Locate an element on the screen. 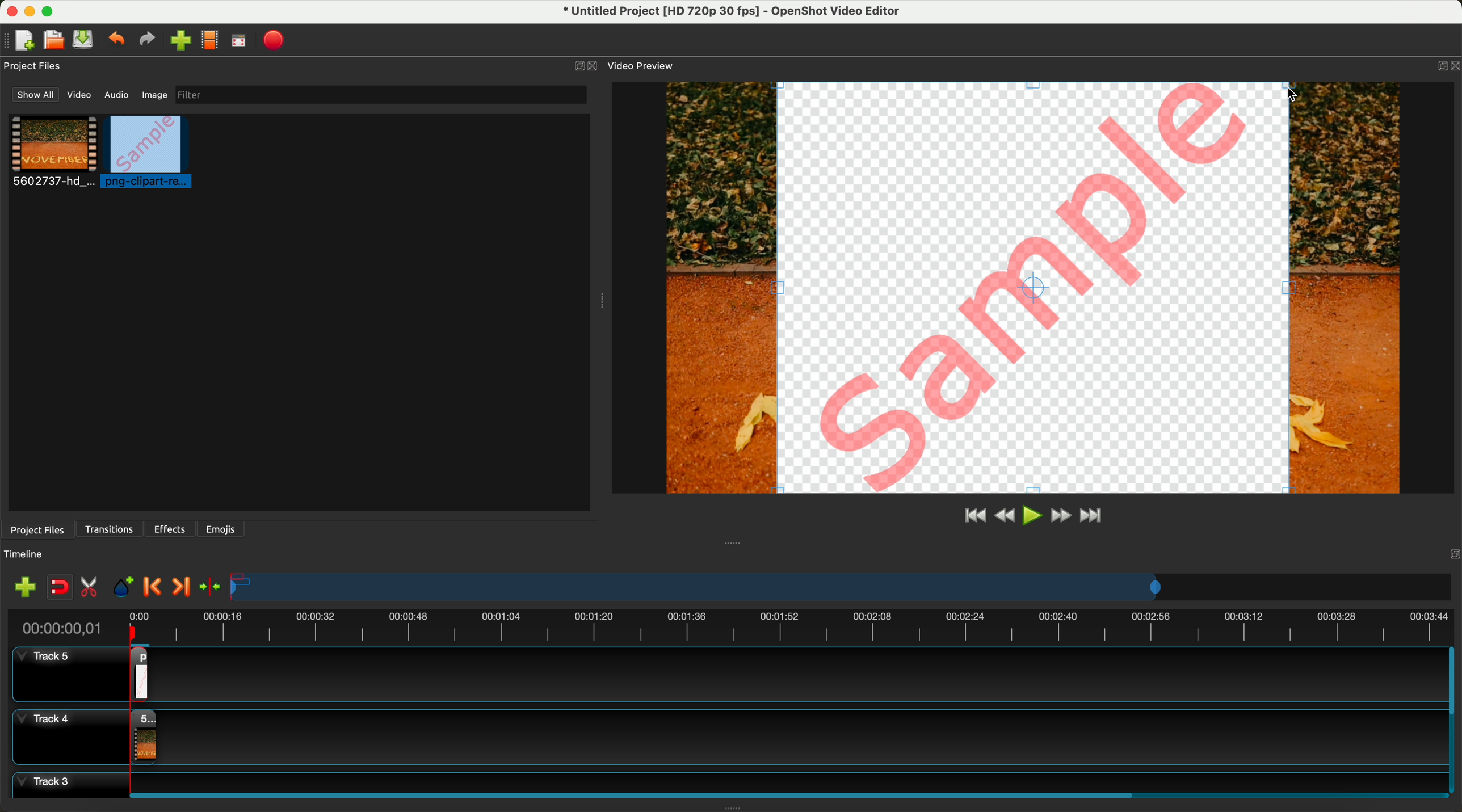 Image resolution: width=1462 pixels, height=812 pixels.  is located at coordinates (1451, 553).